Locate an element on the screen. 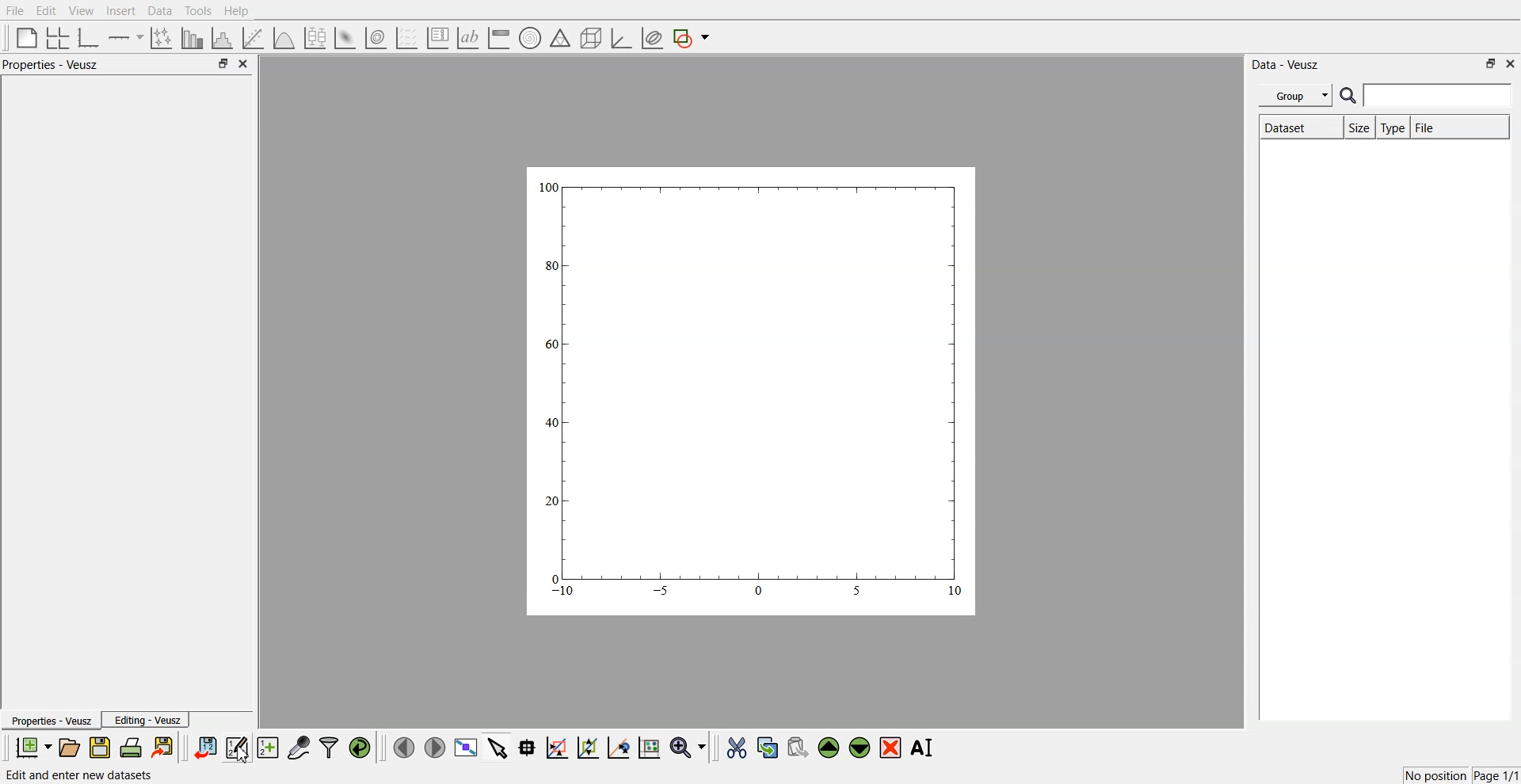  Data is located at coordinates (159, 11).